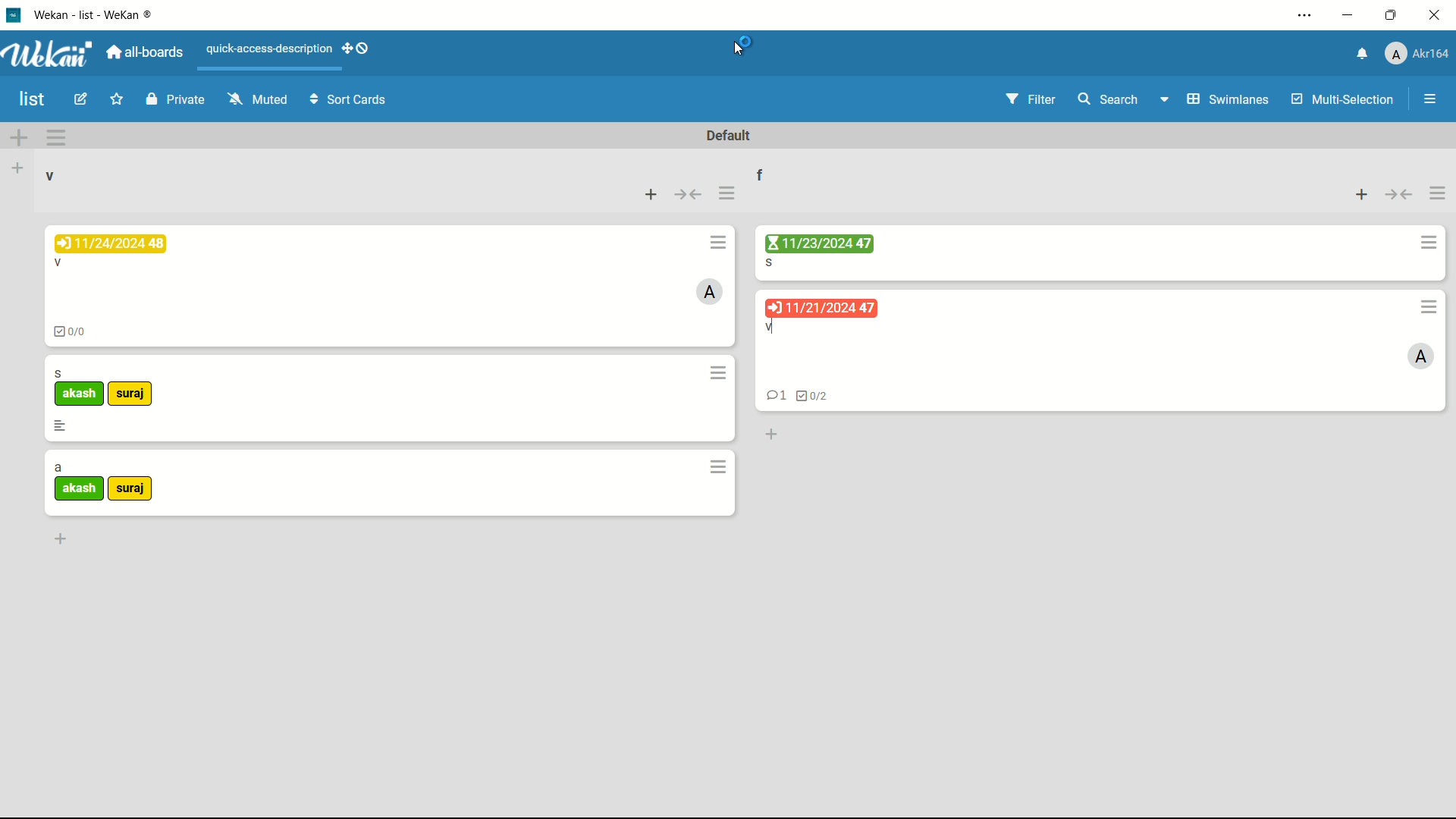 This screenshot has height=819, width=1456. What do you see at coordinates (1398, 196) in the screenshot?
I see `collapse` at bounding box center [1398, 196].